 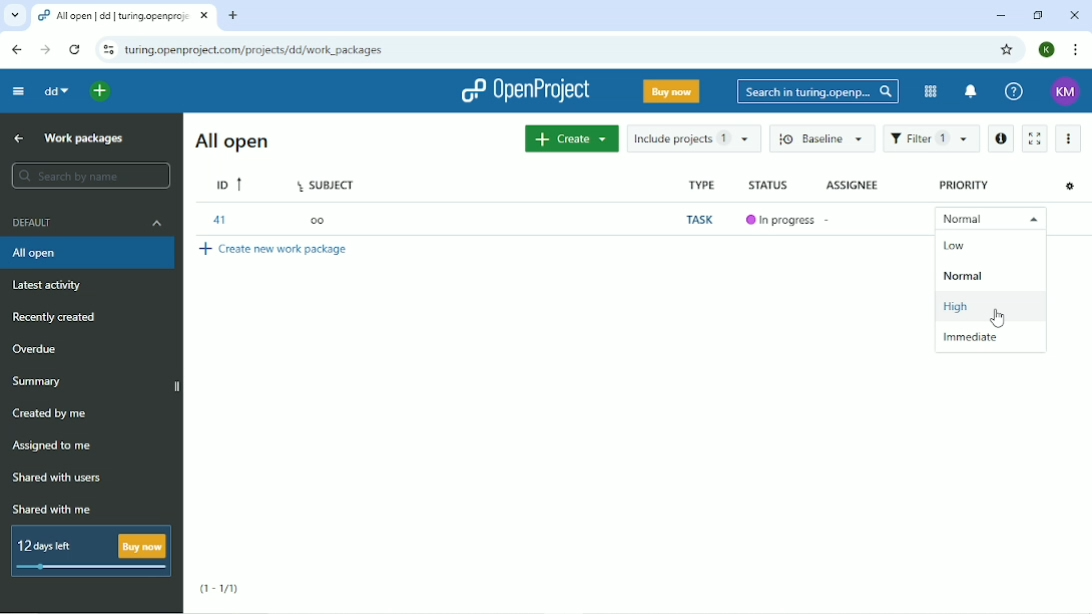 I want to click on 41, so click(x=214, y=220).